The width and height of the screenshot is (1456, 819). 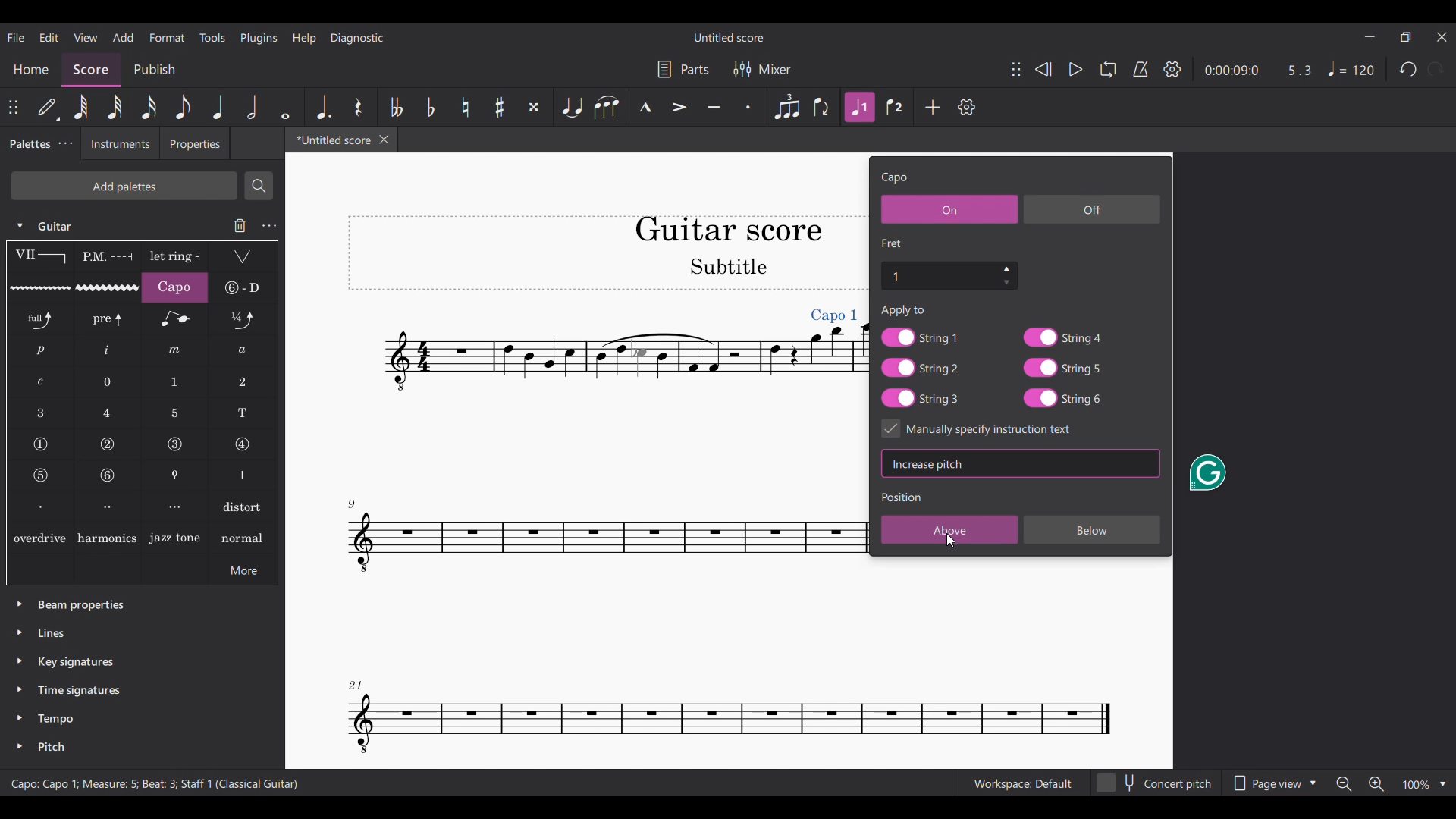 What do you see at coordinates (20, 226) in the screenshot?
I see `Click to collapse ` at bounding box center [20, 226].